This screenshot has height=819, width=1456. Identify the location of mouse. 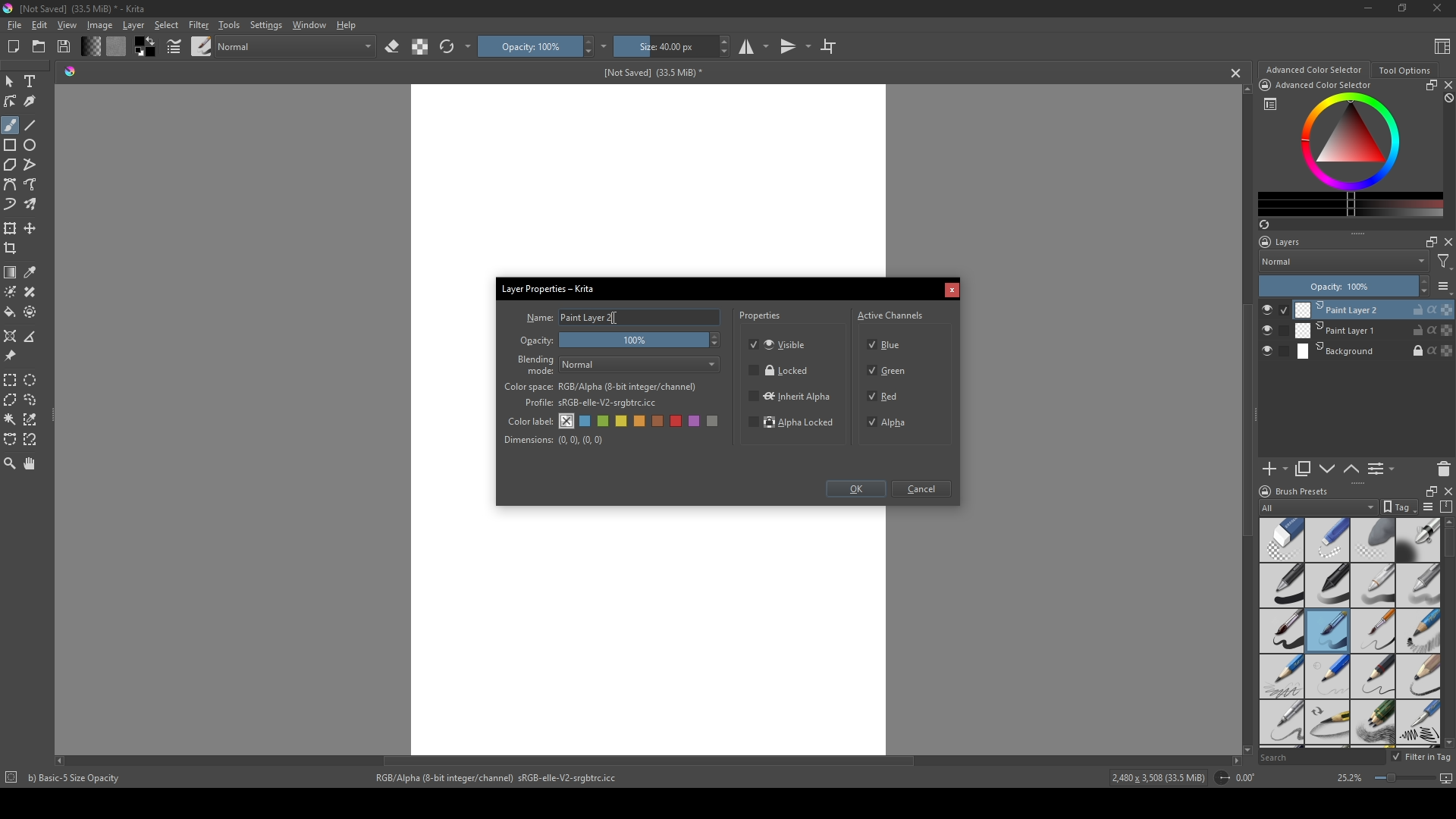
(9, 82).